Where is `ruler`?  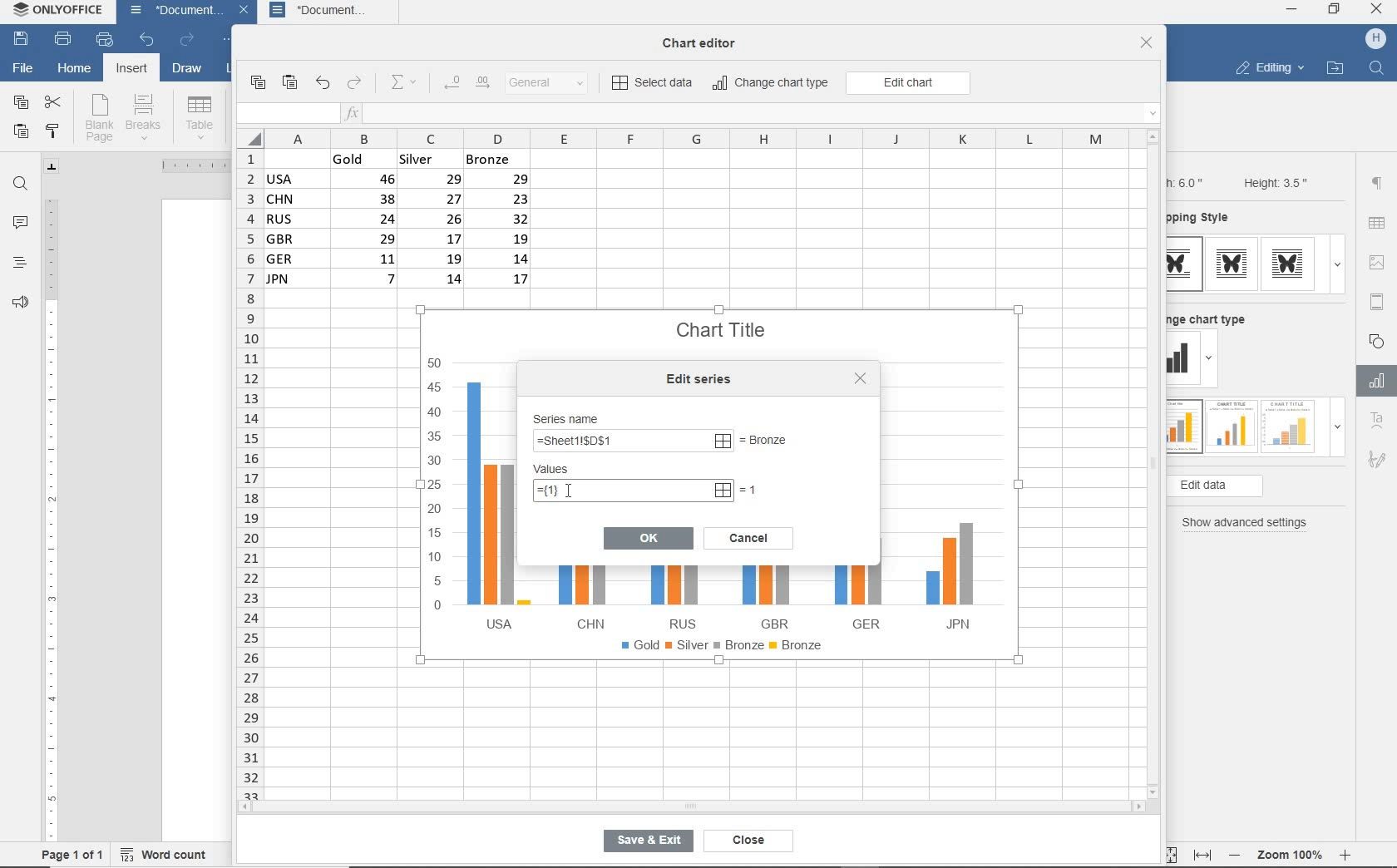 ruler is located at coordinates (51, 513).